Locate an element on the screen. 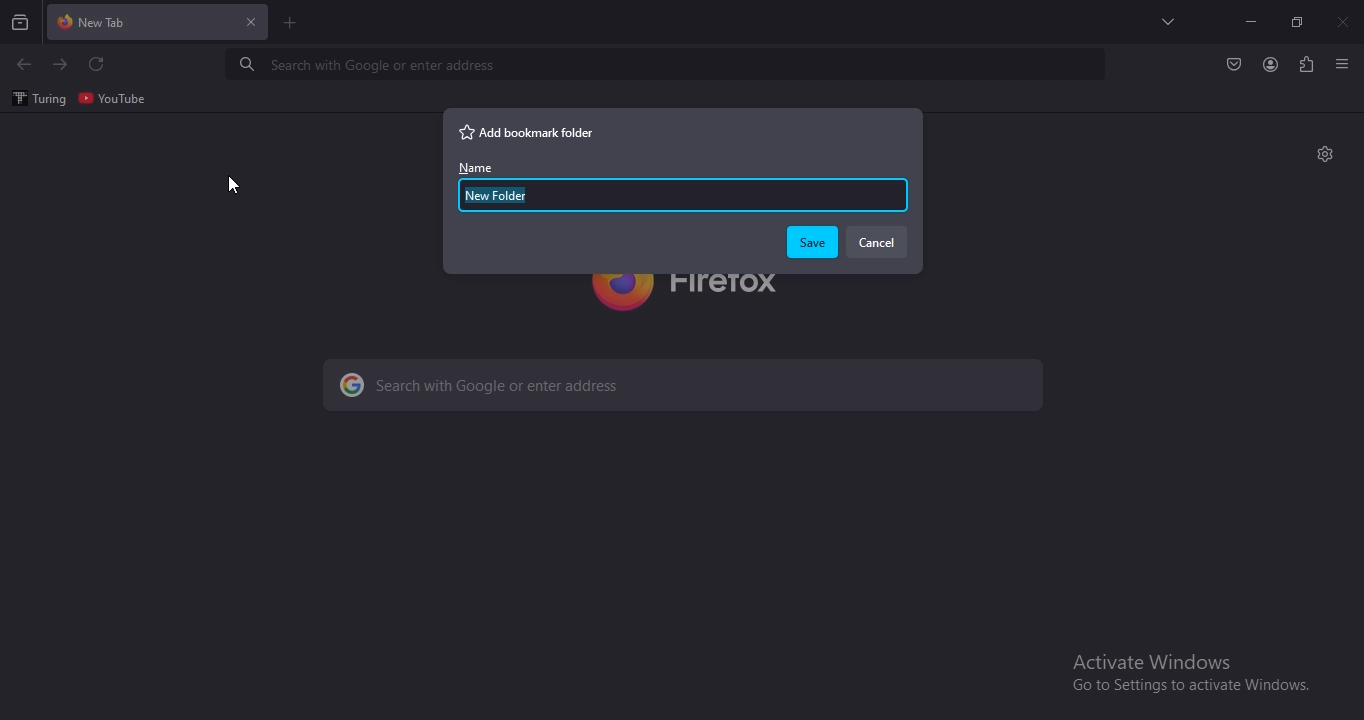 The height and width of the screenshot is (720, 1364). click to go to previous page is located at coordinates (23, 65).